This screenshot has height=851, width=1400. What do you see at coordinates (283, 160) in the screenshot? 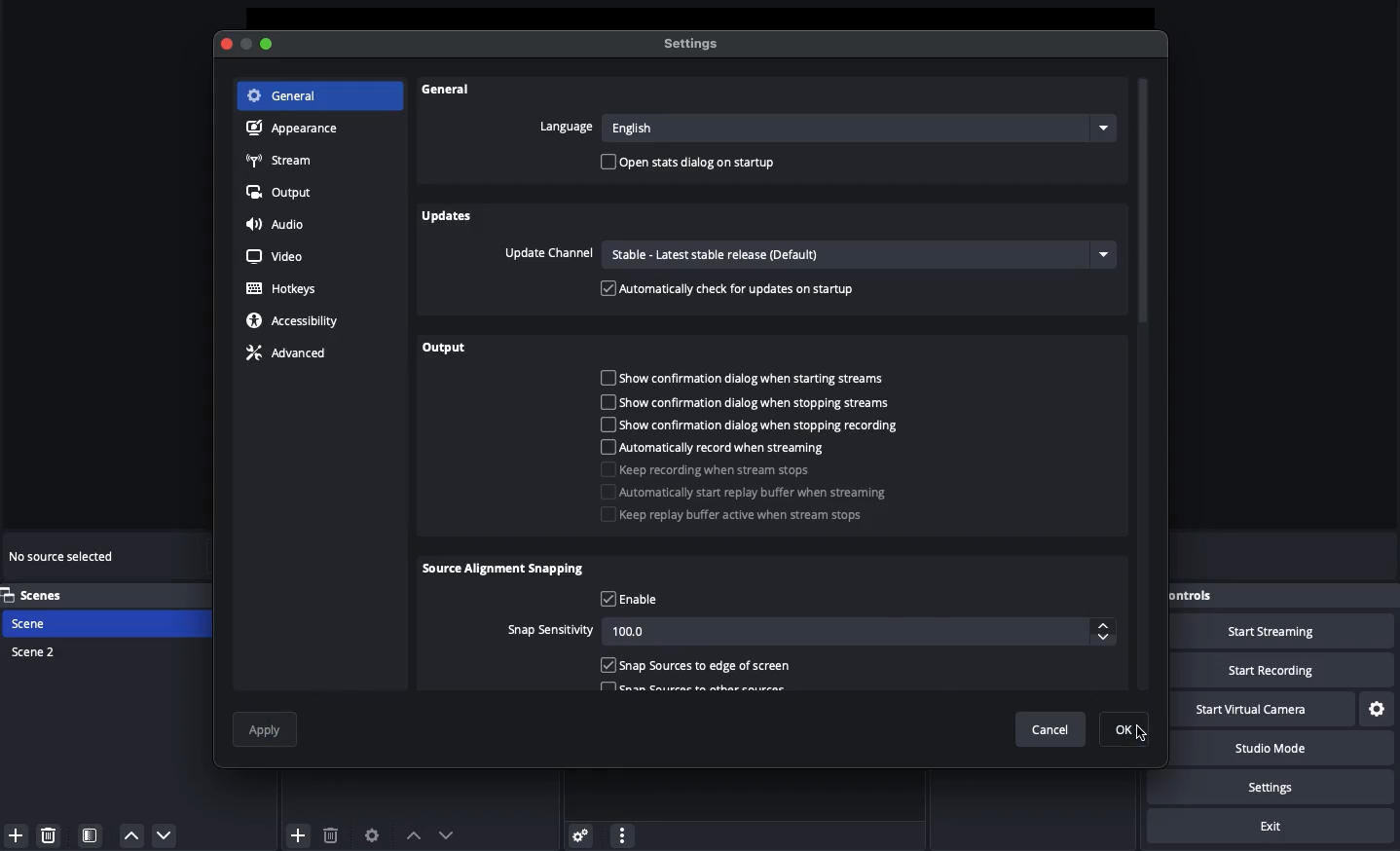
I see `Stream` at bounding box center [283, 160].